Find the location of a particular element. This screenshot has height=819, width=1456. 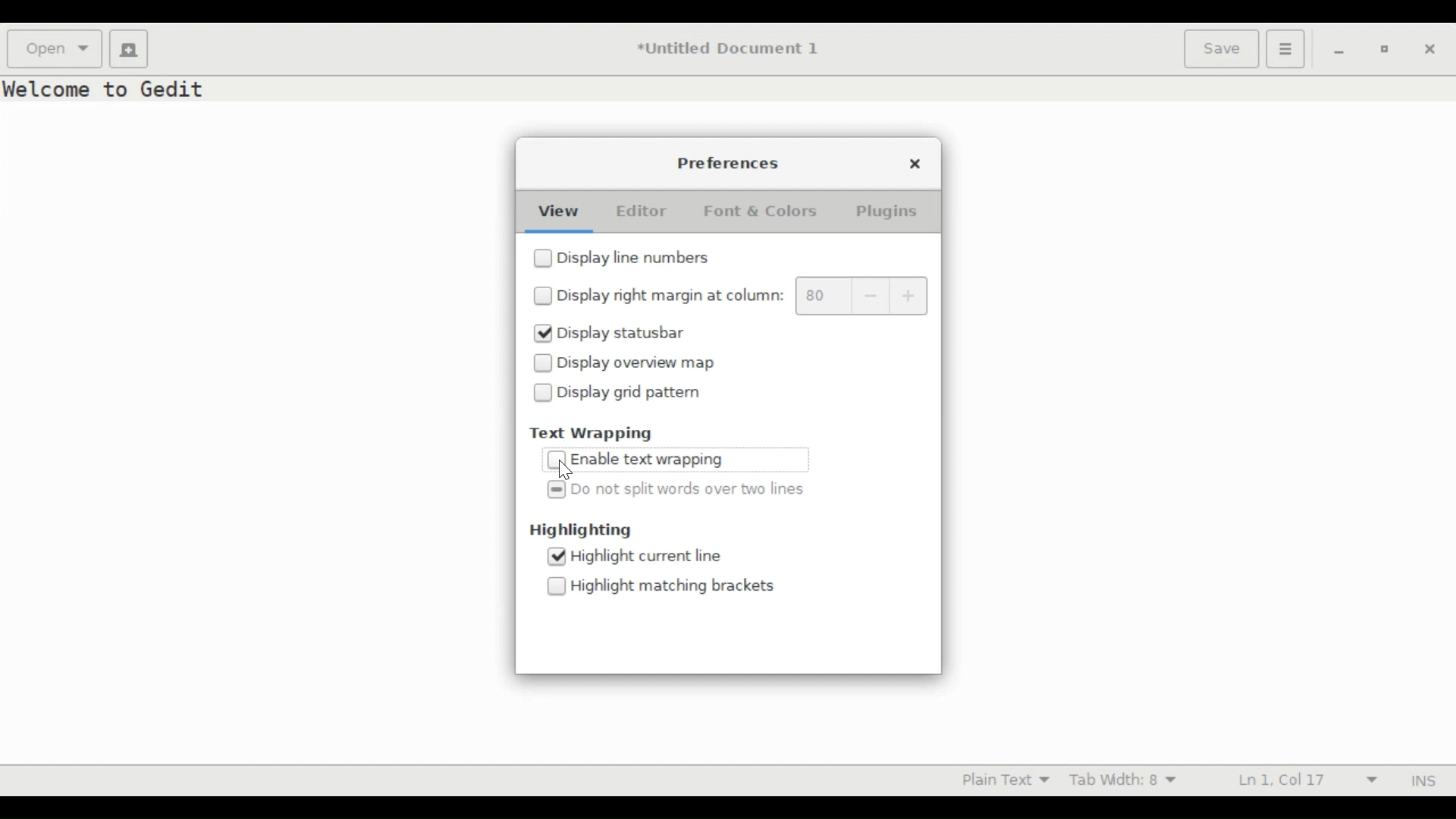

Display right margin at column: is located at coordinates (670, 298).